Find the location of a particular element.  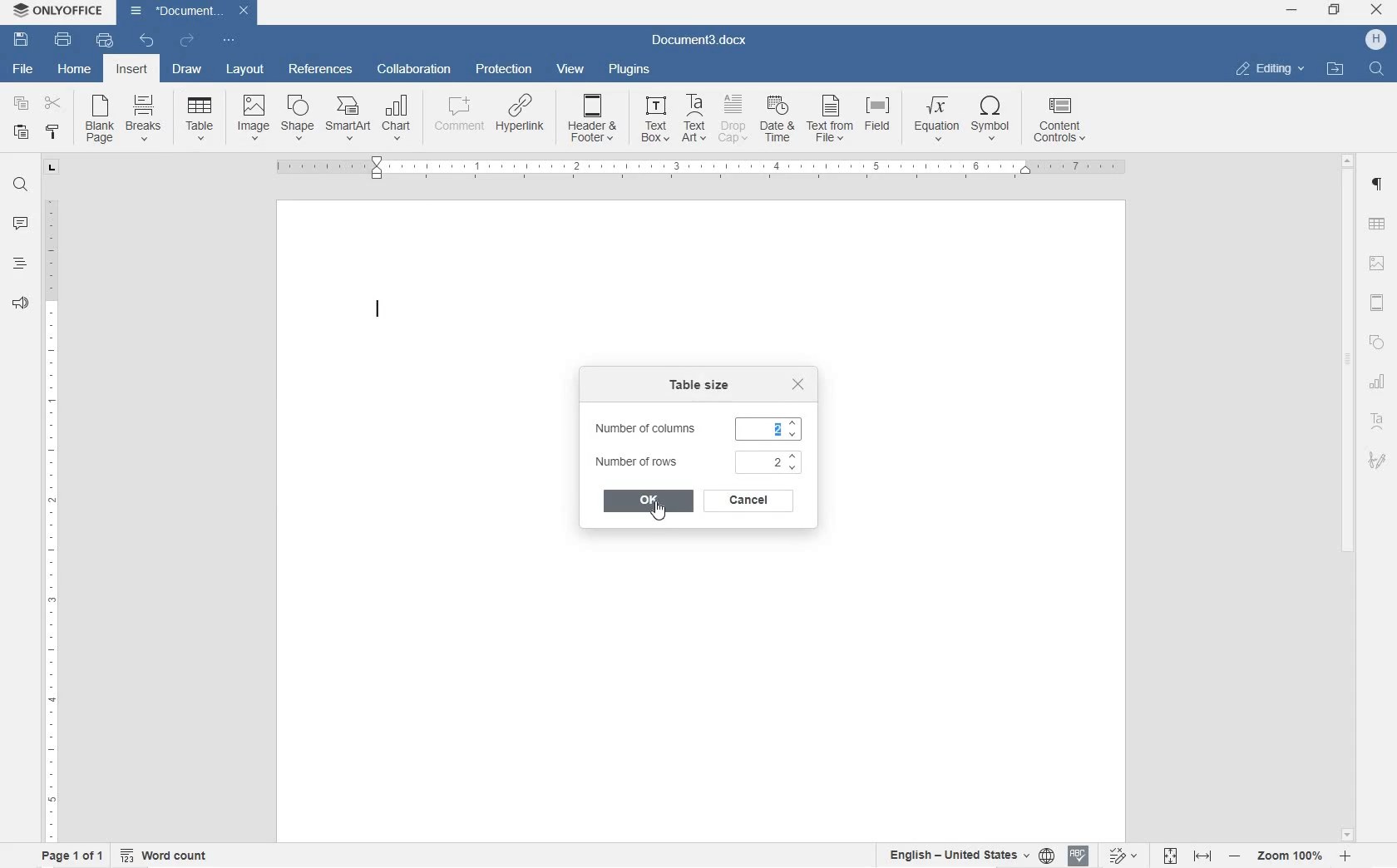

SIGNATURE is located at coordinates (1378, 459).